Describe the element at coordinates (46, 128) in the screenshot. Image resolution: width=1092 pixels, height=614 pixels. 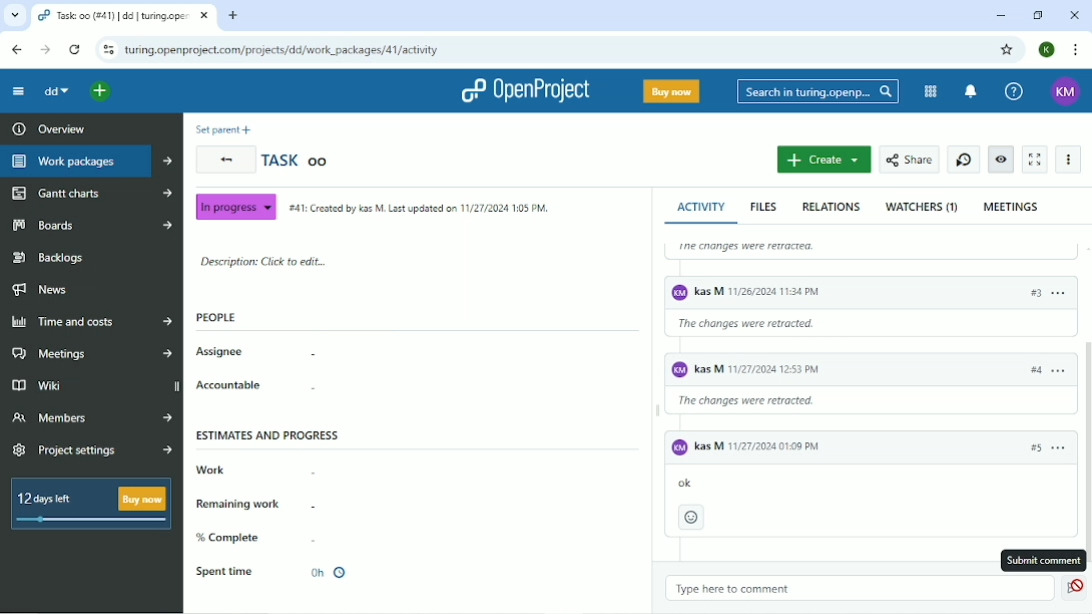
I see `Overview` at that location.